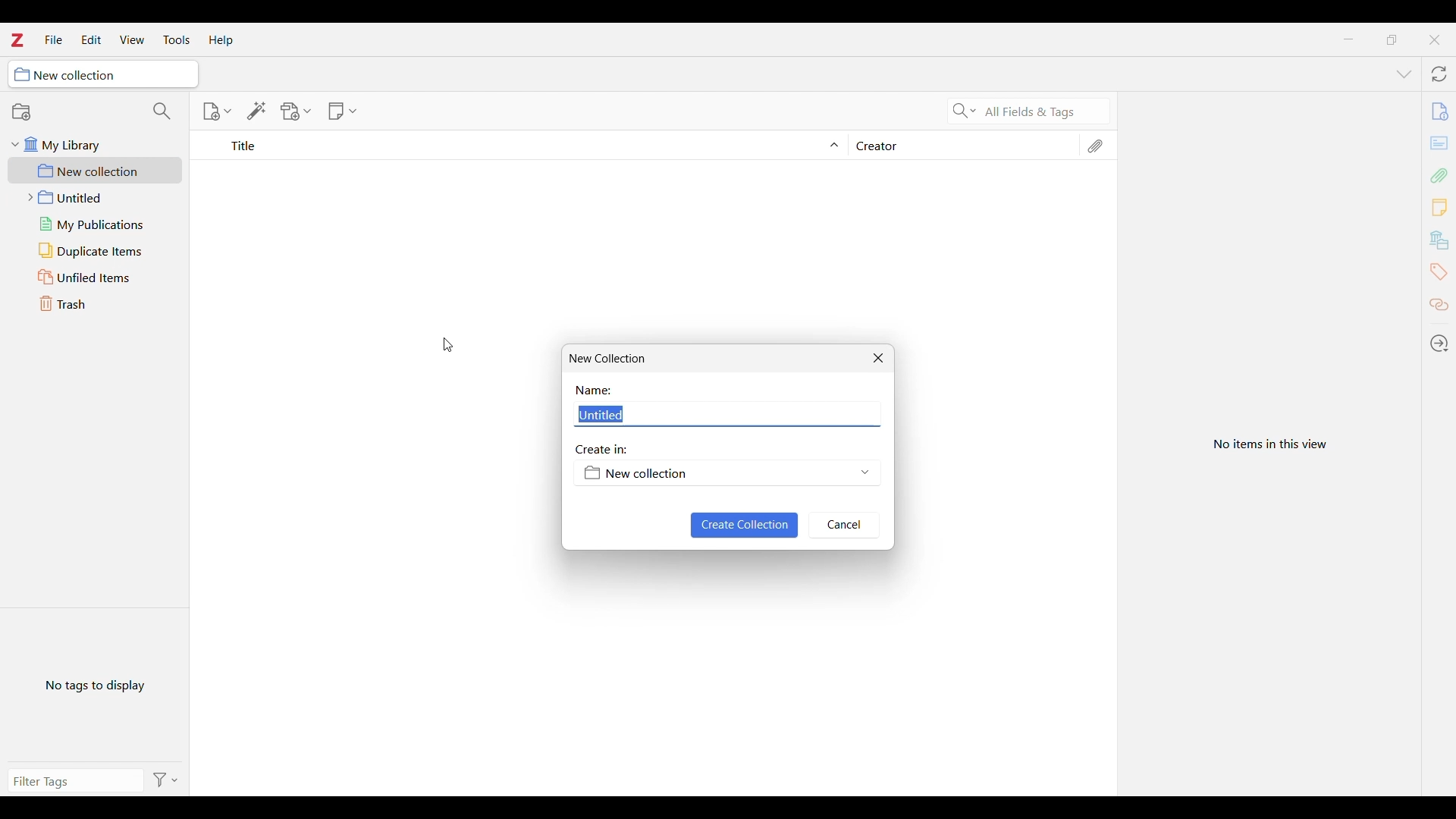  I want to click on Tools menu, so click(177, 40).